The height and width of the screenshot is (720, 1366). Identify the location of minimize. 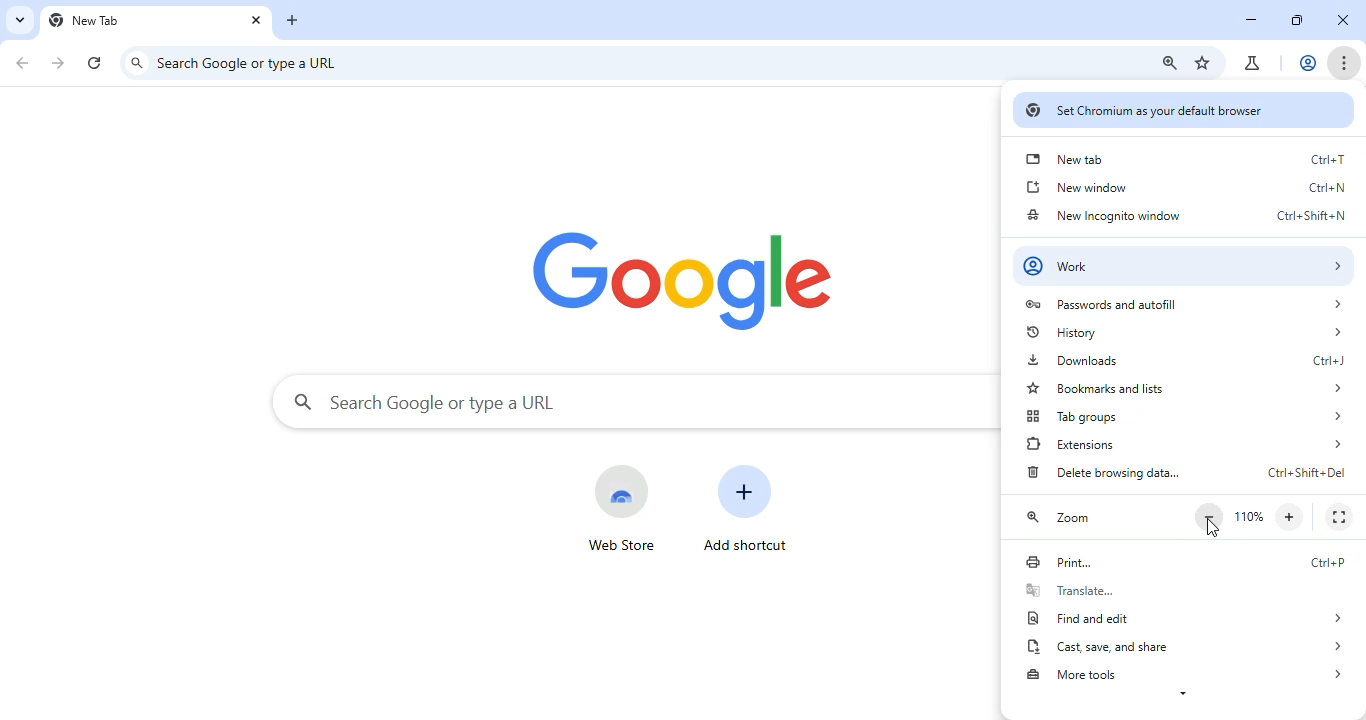
(1250, 20).